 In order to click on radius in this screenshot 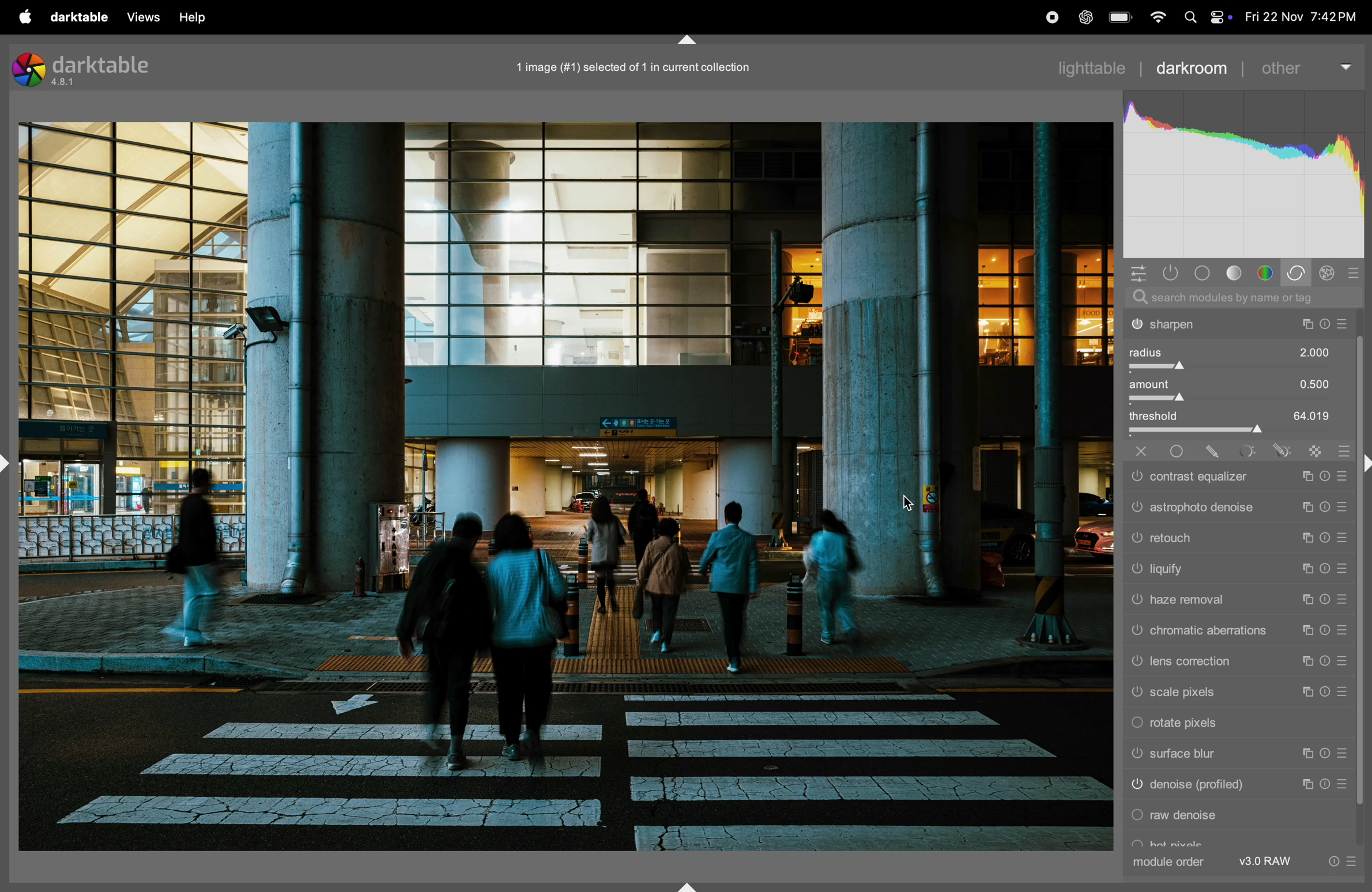, I will do `click(1239, 357)`.